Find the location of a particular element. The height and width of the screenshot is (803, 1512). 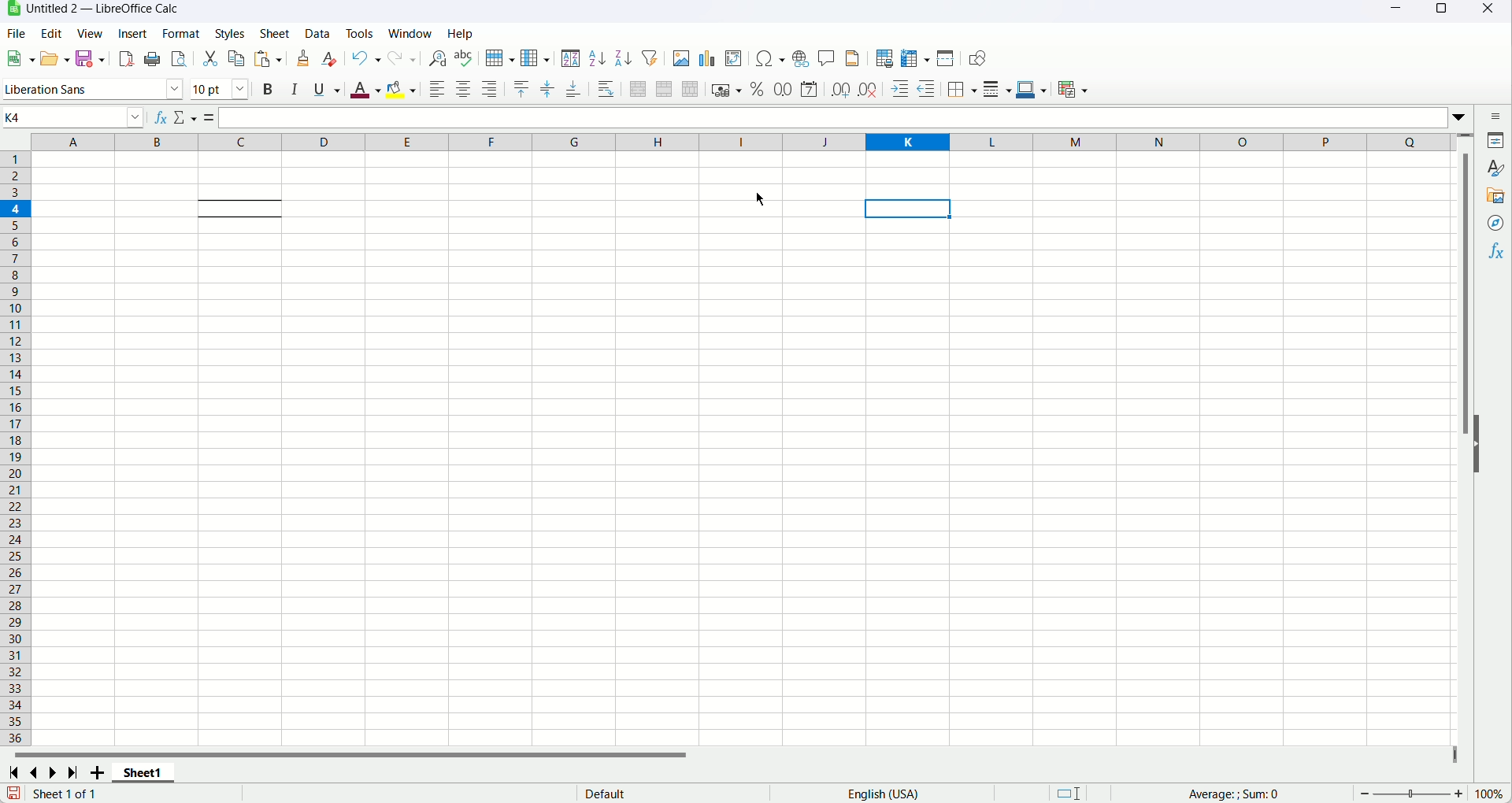

conditional is located at coordinates (1075, 88).